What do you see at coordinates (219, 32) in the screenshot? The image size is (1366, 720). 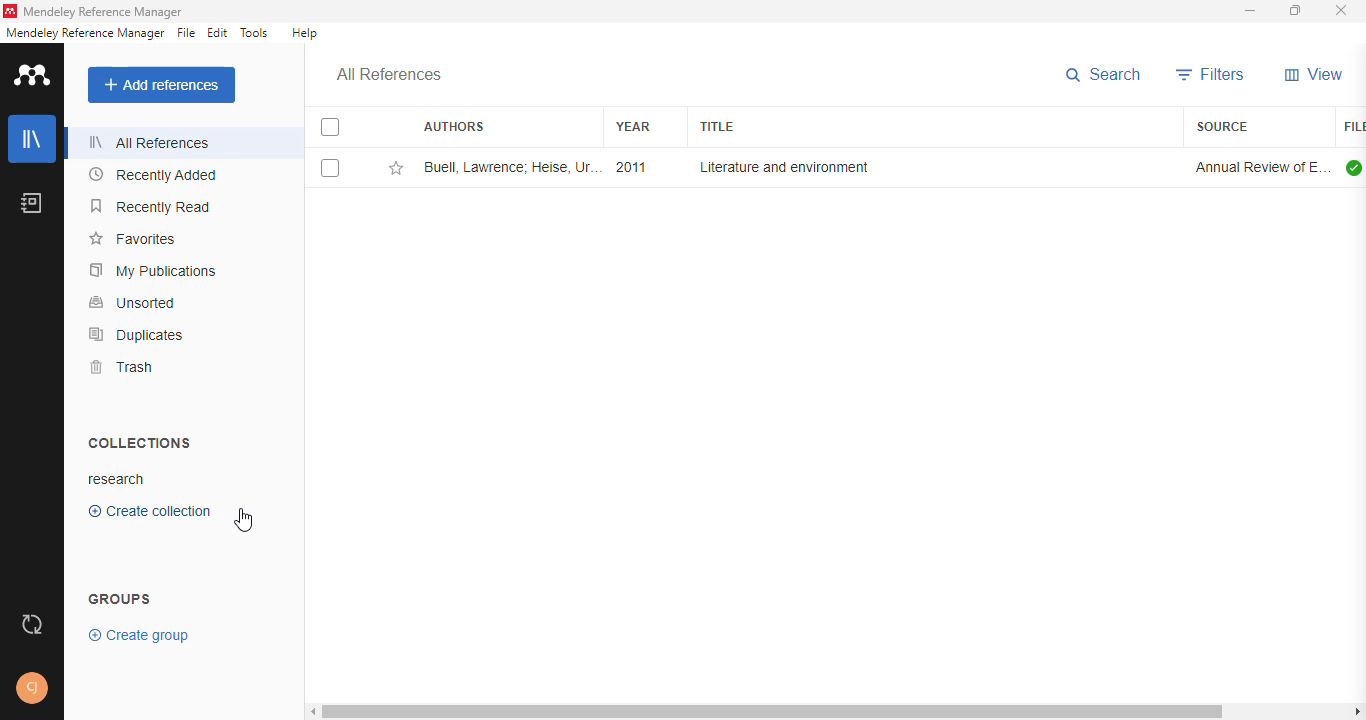 I see `edit` at bounding box center [219, 32].